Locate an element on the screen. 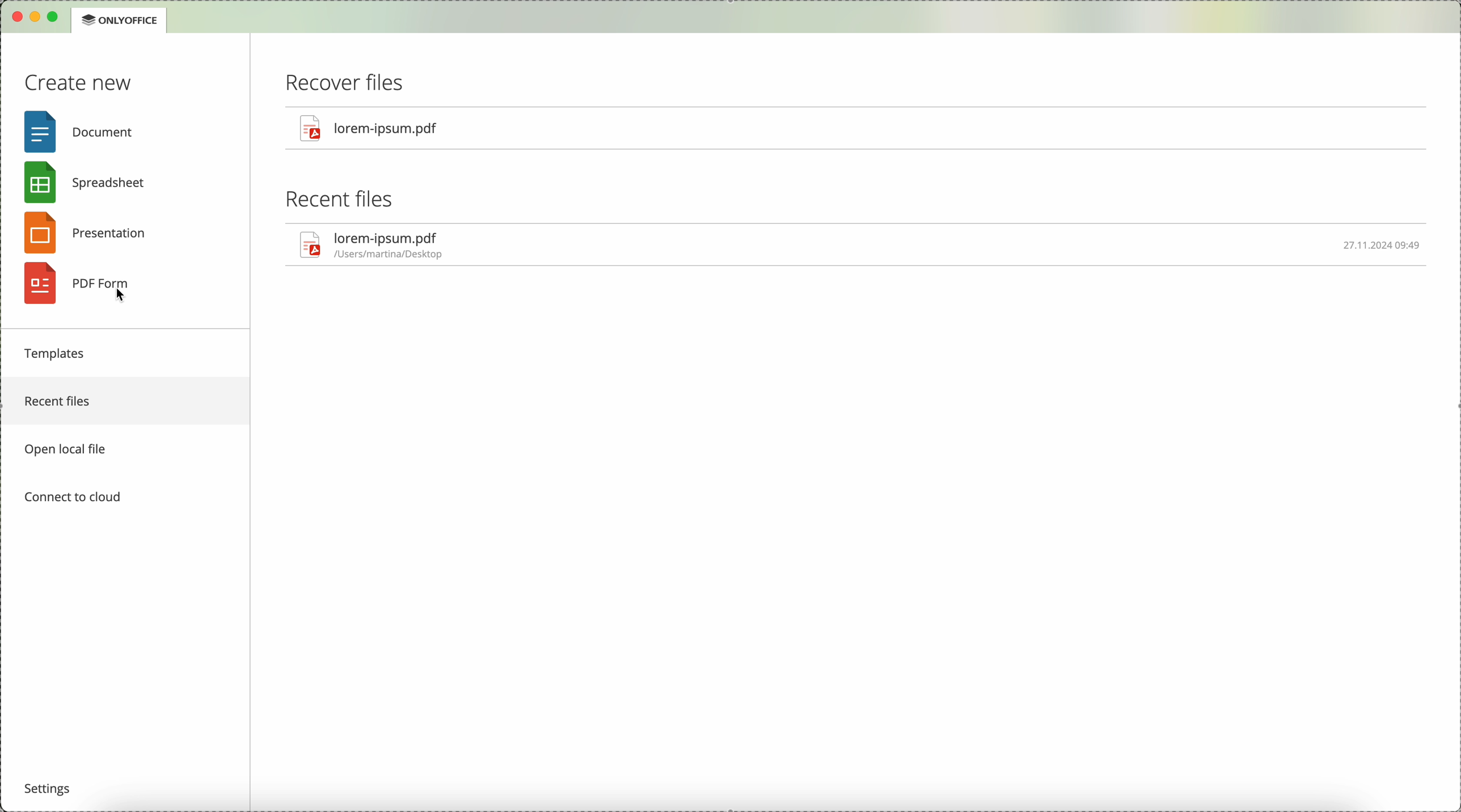 The width and height of the screenshot is (1461, 812). recent file is located at coordinates (340, 198).